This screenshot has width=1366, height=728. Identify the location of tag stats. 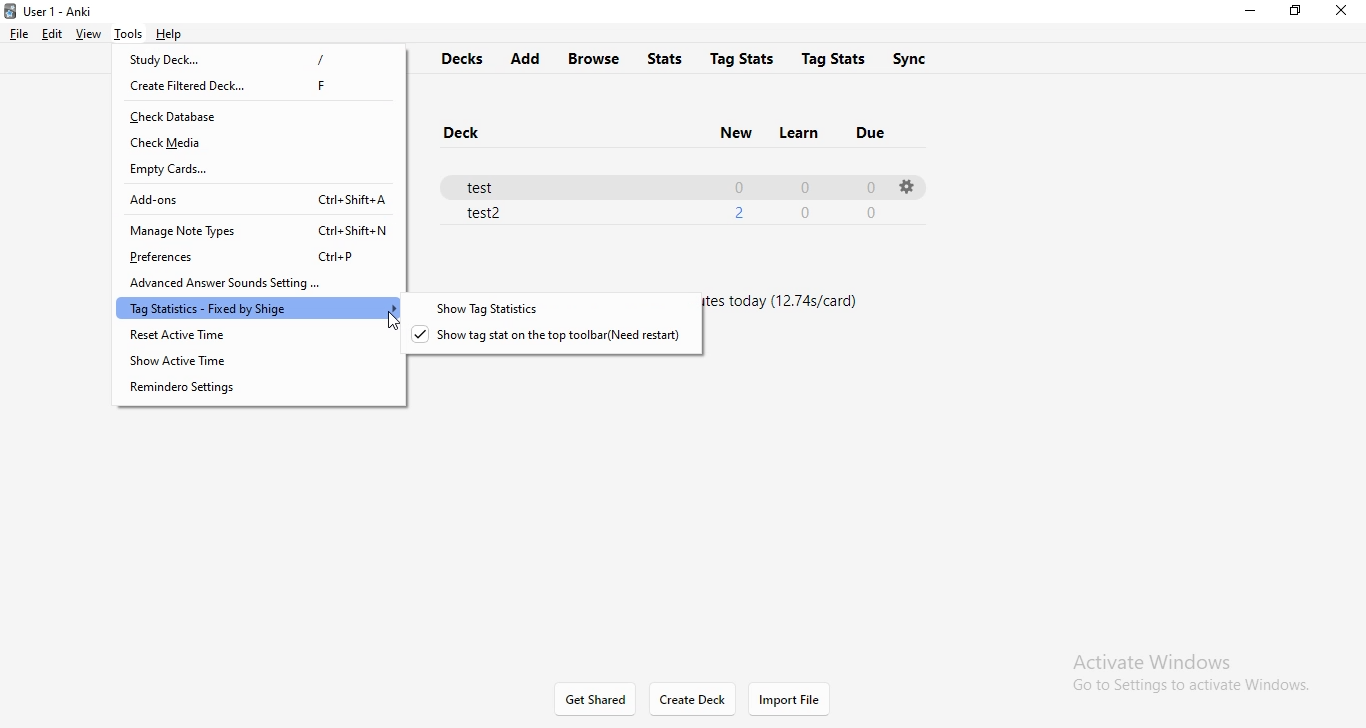
(836, 58).